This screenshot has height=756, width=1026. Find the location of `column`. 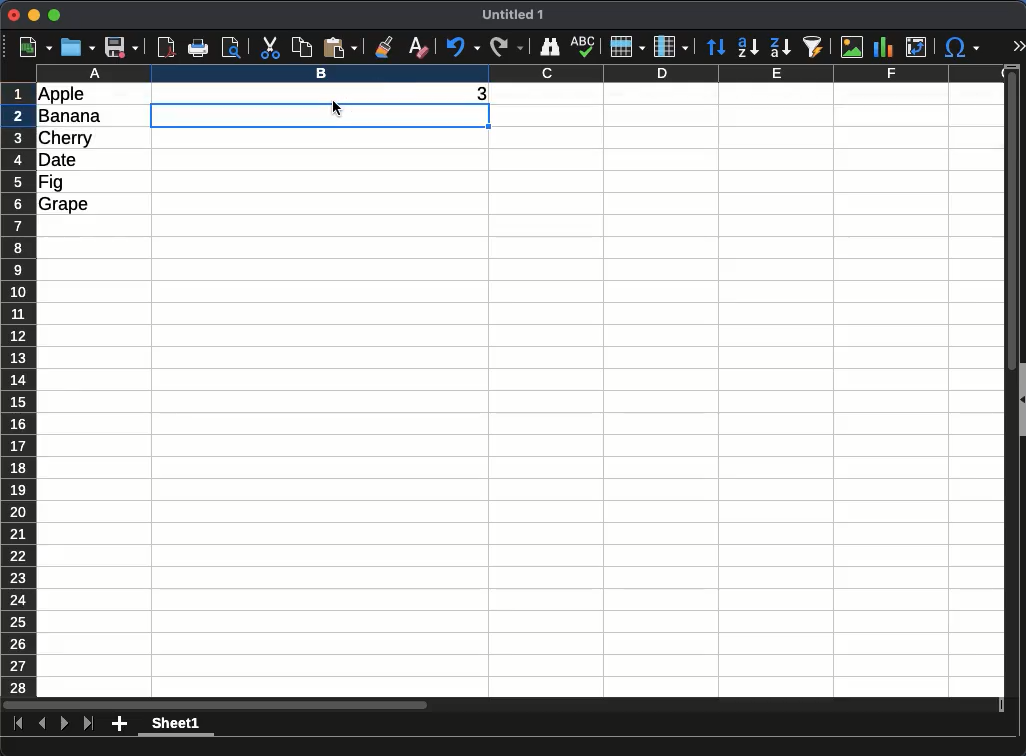

column is located at coordinates (671, 47).